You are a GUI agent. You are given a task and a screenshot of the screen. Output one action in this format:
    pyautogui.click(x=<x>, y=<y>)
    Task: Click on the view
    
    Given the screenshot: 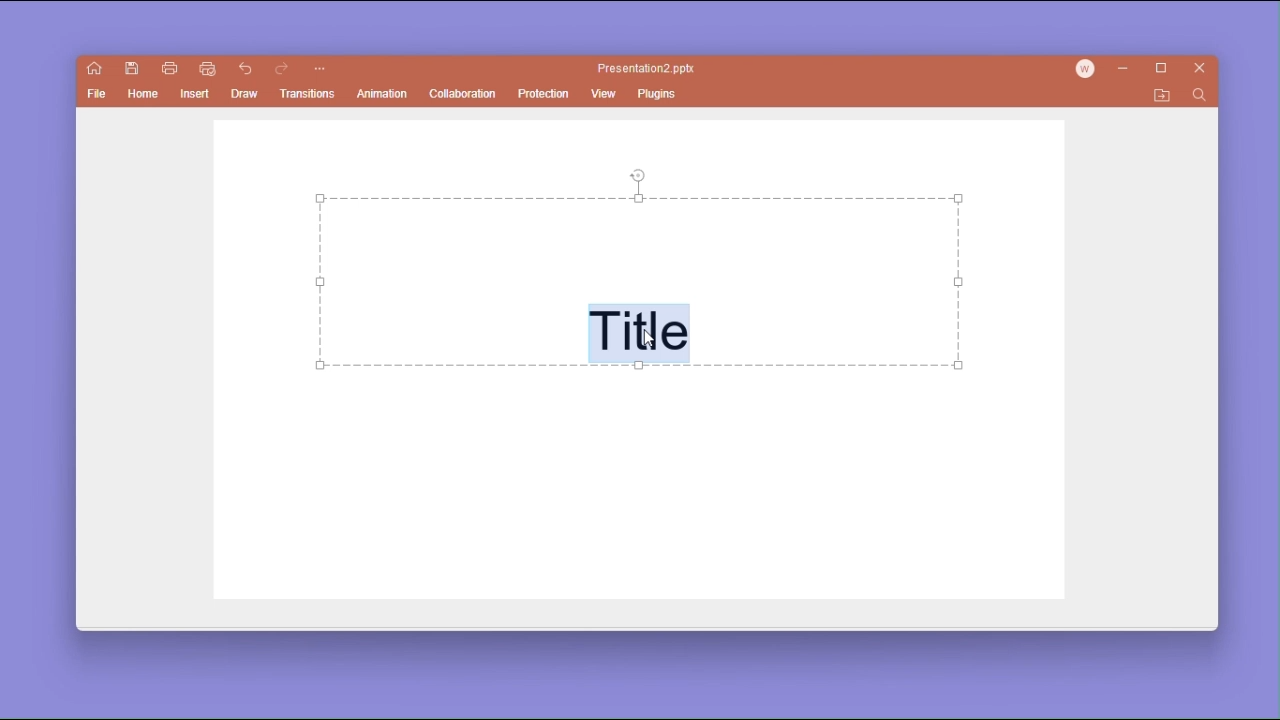 What is the action you would take?
    pyautogui.click(x=604, y=95)
    